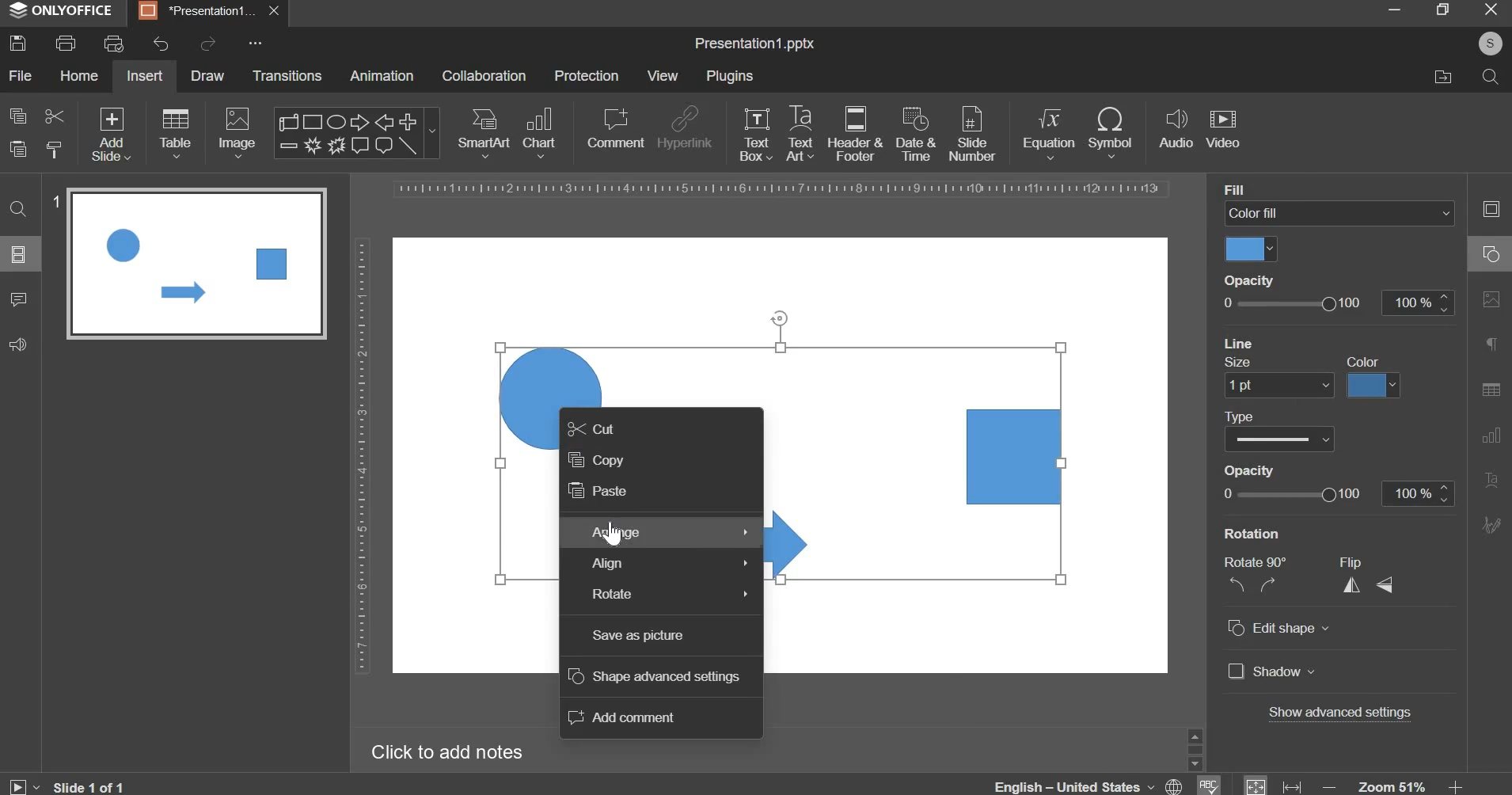 The width and height of the screenshot is (1512, 795). What do you see at coordinates (176, 132) in the screenshot?
I see `table` at bounding box center [176, 132].